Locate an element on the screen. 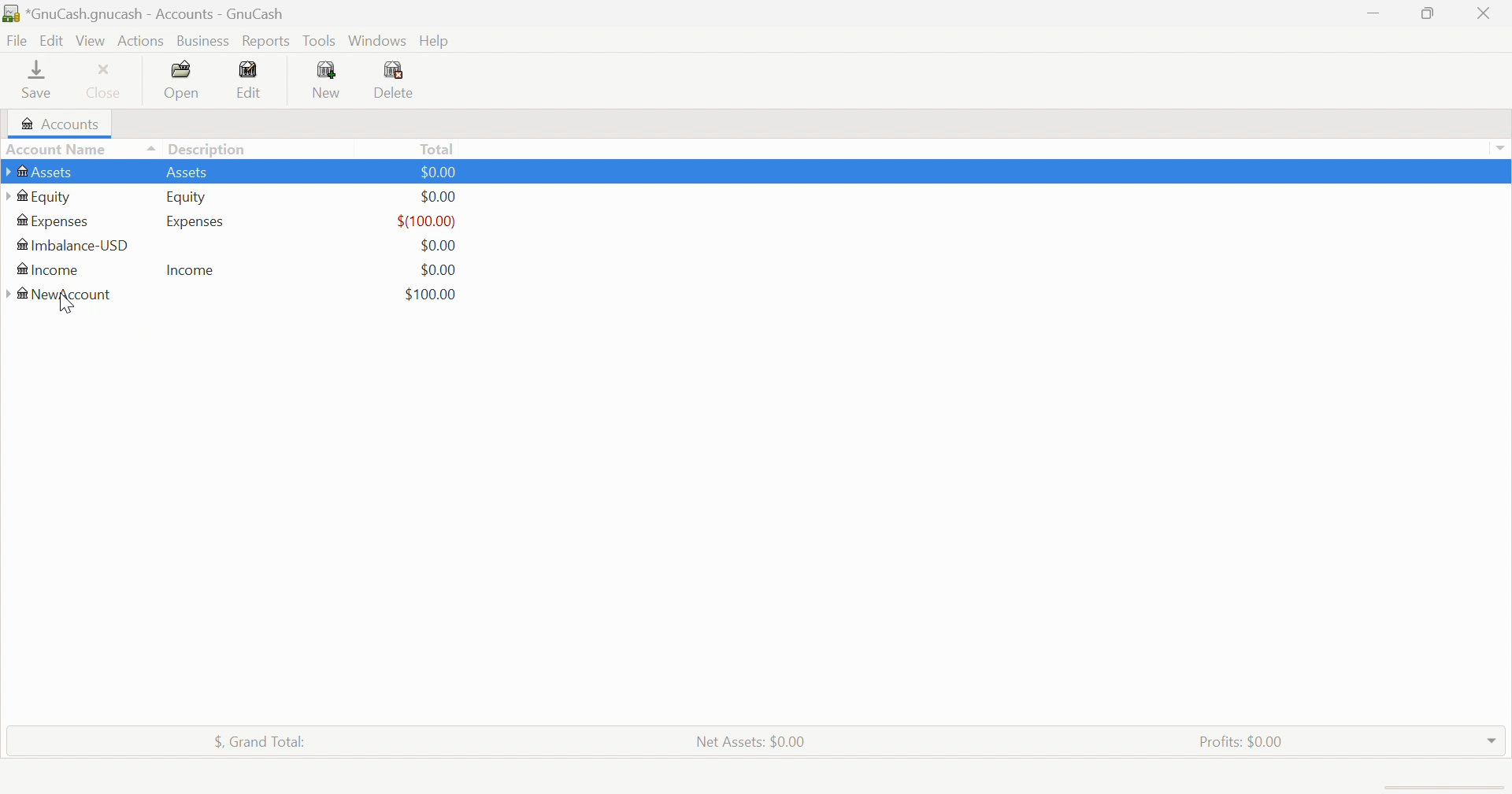 This screenshot has width=1512, height=794. Delete is located at coordinates (395, 82).